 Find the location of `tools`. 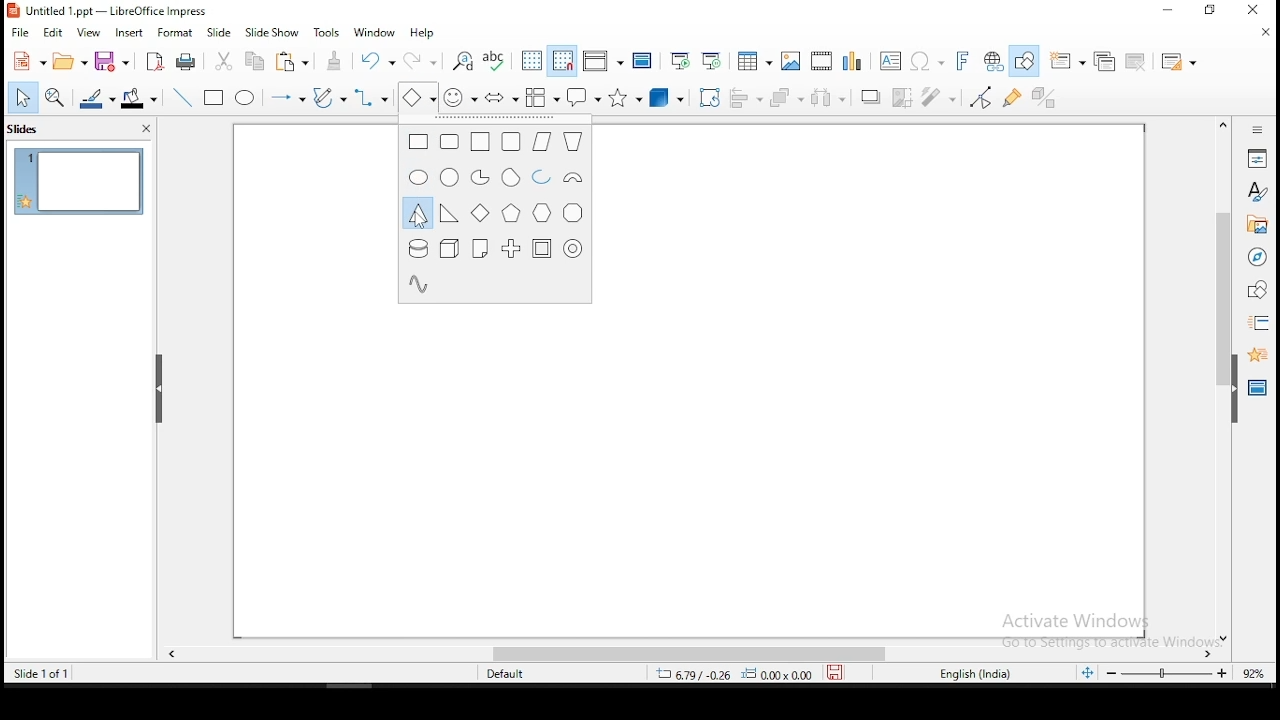

tools is located at coordinates (330, 31).